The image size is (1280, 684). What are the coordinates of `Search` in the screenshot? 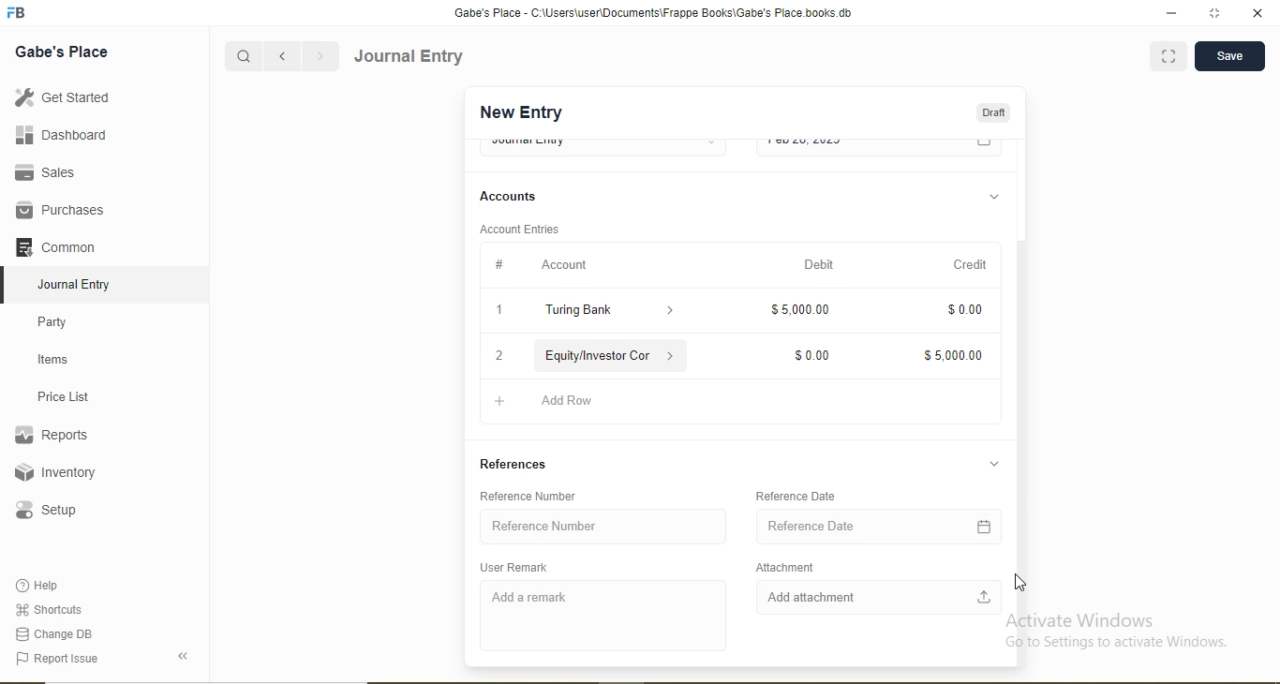 It's located at (242, 57).